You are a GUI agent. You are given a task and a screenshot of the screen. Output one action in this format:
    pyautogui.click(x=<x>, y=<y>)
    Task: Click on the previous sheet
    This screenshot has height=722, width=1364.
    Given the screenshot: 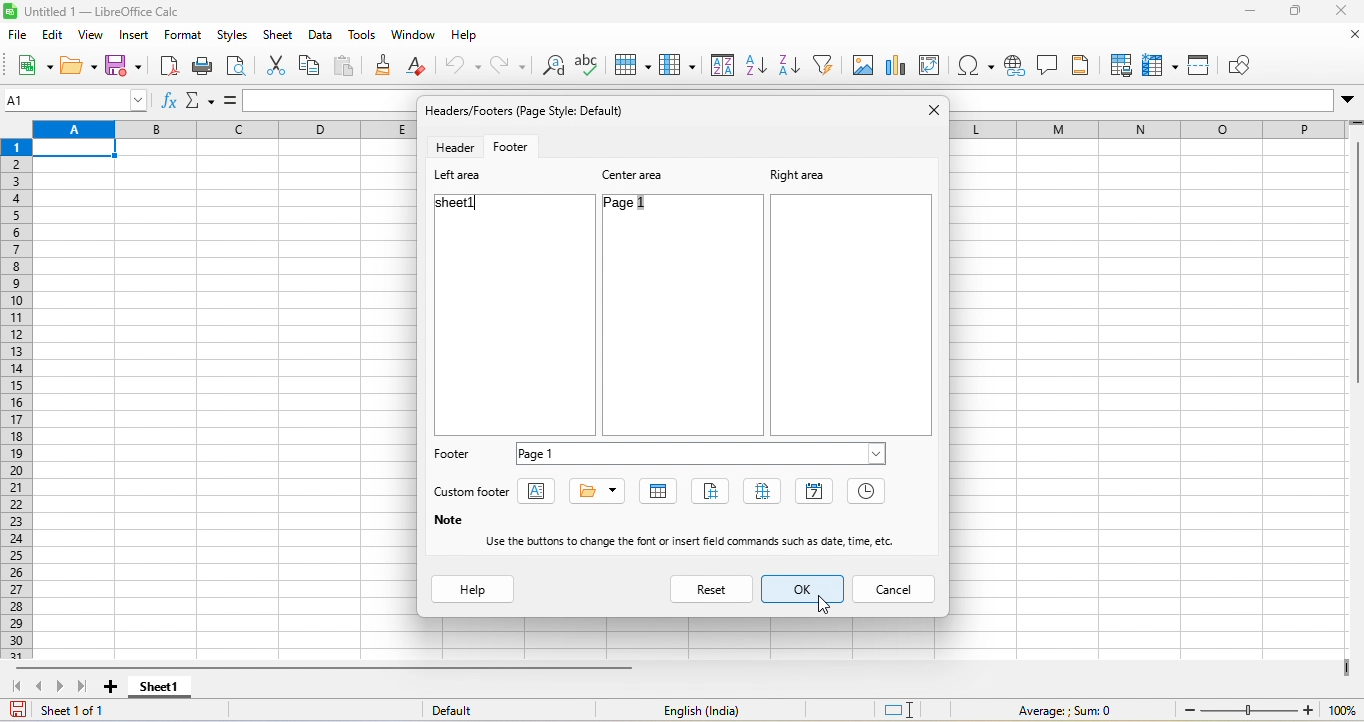 What is the action you would take?
    pyautogui.click(x=41, y=685)
    